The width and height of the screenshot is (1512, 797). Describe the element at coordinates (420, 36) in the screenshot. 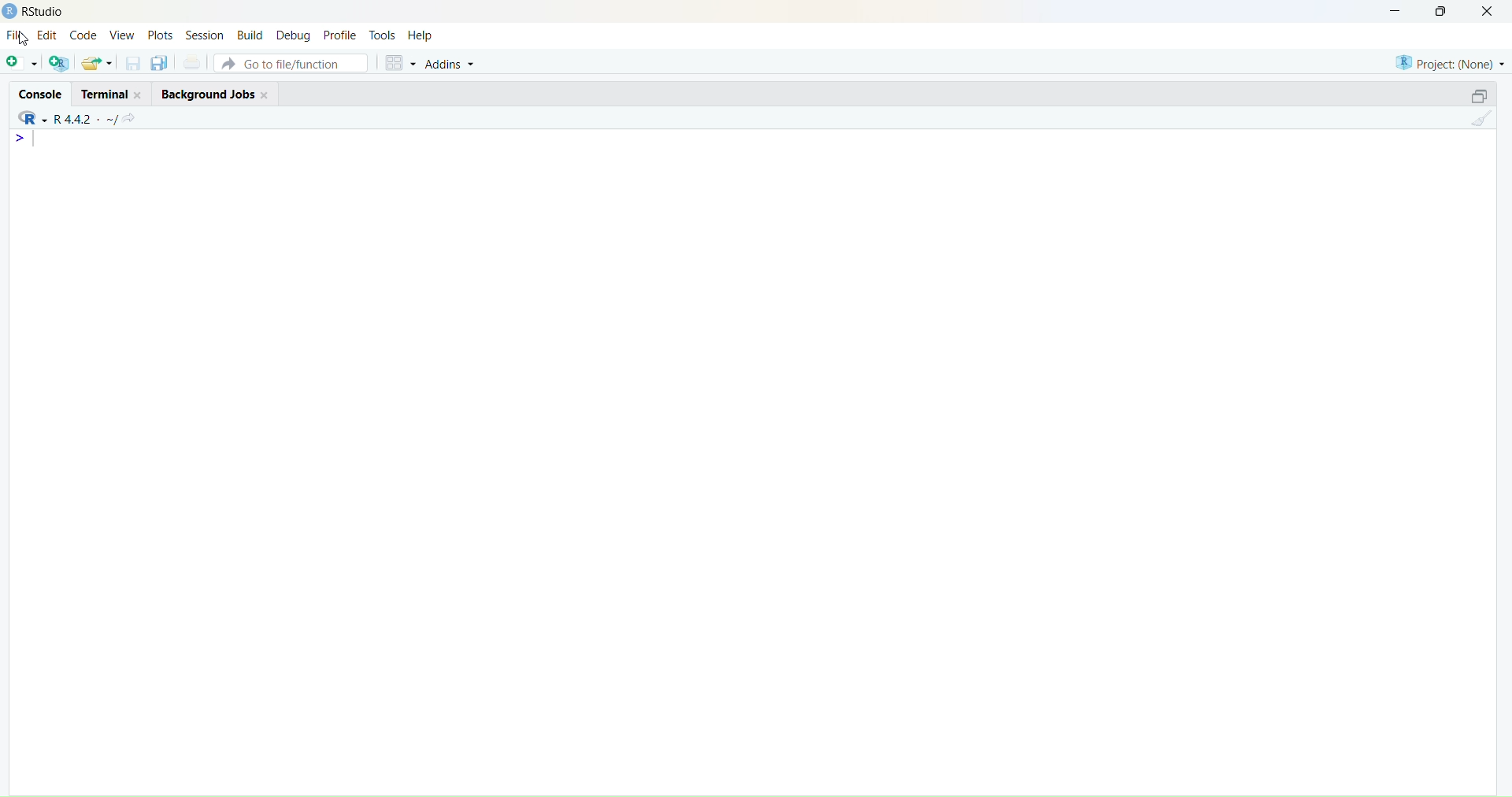

I see `Help` at that location.